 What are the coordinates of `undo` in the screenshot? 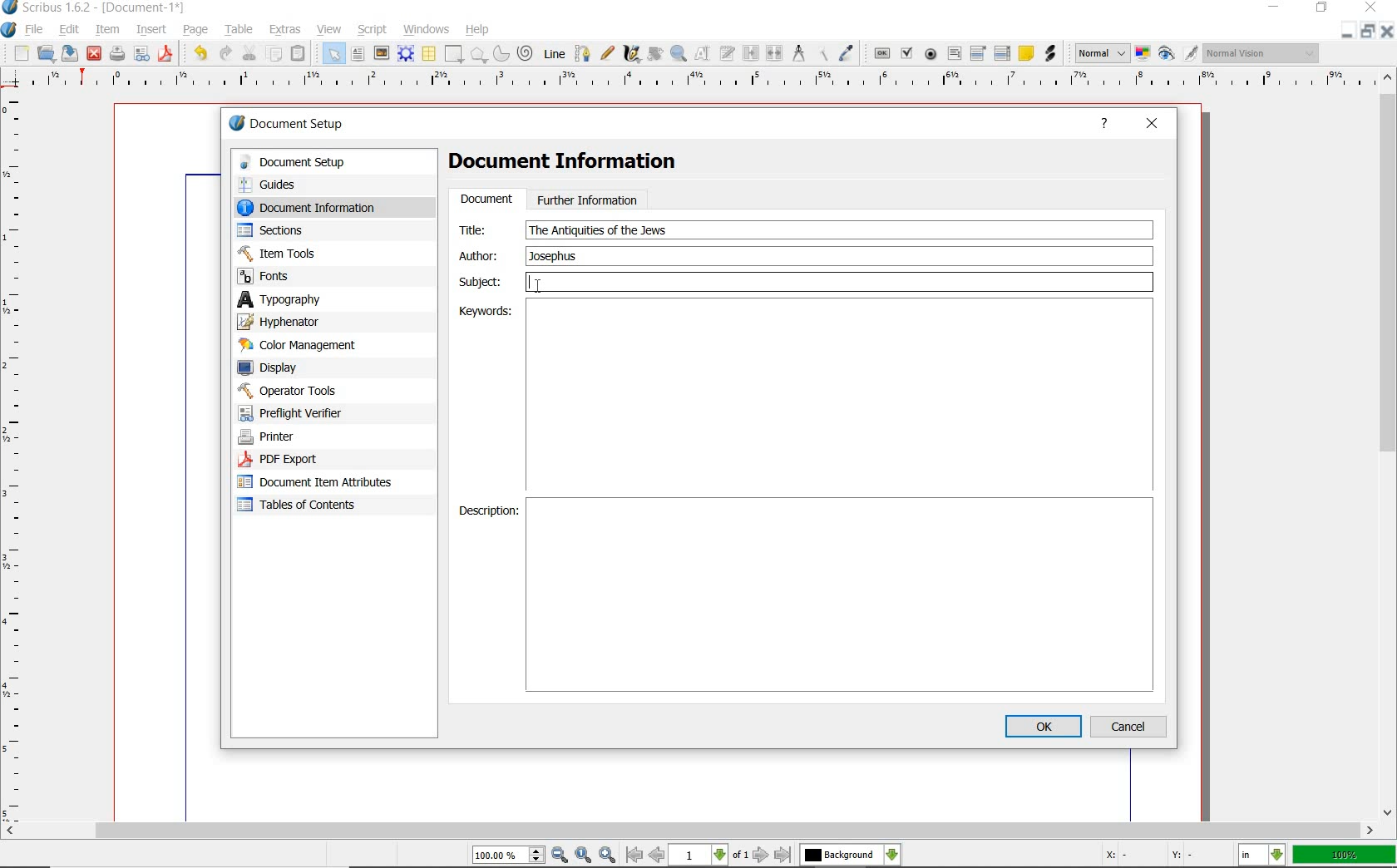 It's located at (200, 55).